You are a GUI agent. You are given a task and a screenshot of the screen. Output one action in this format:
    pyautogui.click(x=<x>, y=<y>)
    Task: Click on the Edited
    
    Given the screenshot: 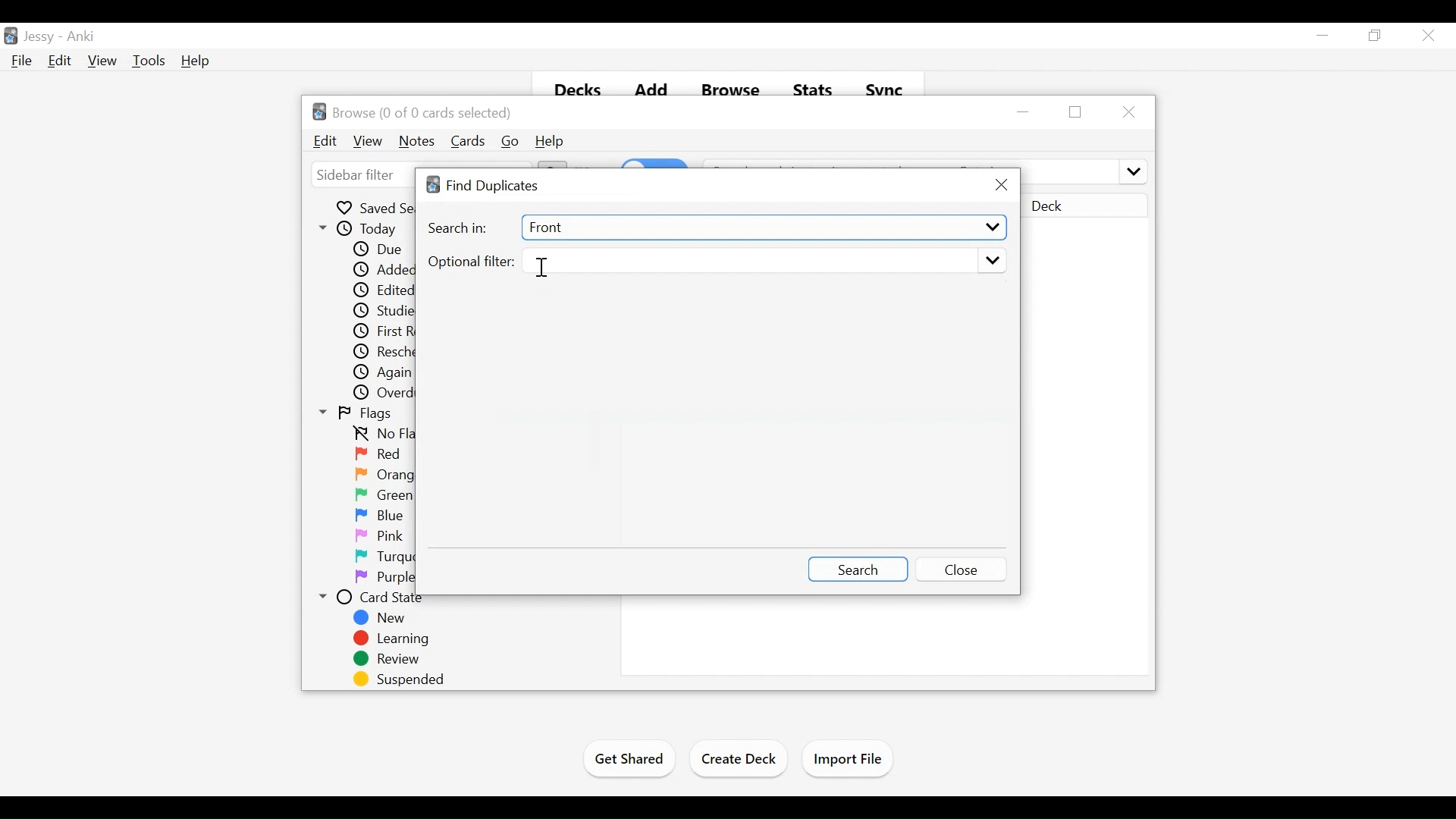 What is the action you would take?
    pyautogui.click(x=384, y=291)
    